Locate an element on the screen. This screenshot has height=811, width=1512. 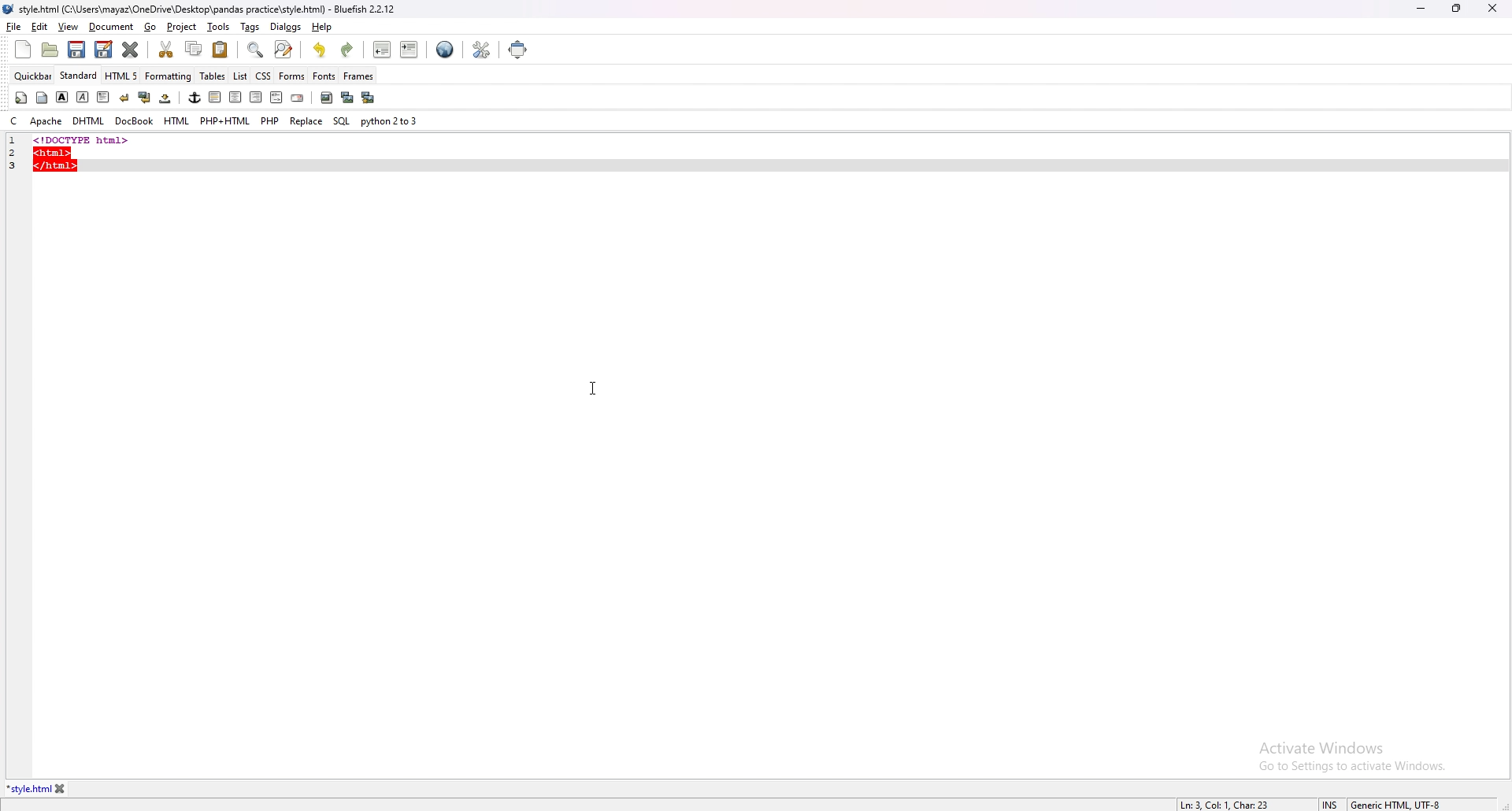
help is located at coordinates (321, 27).